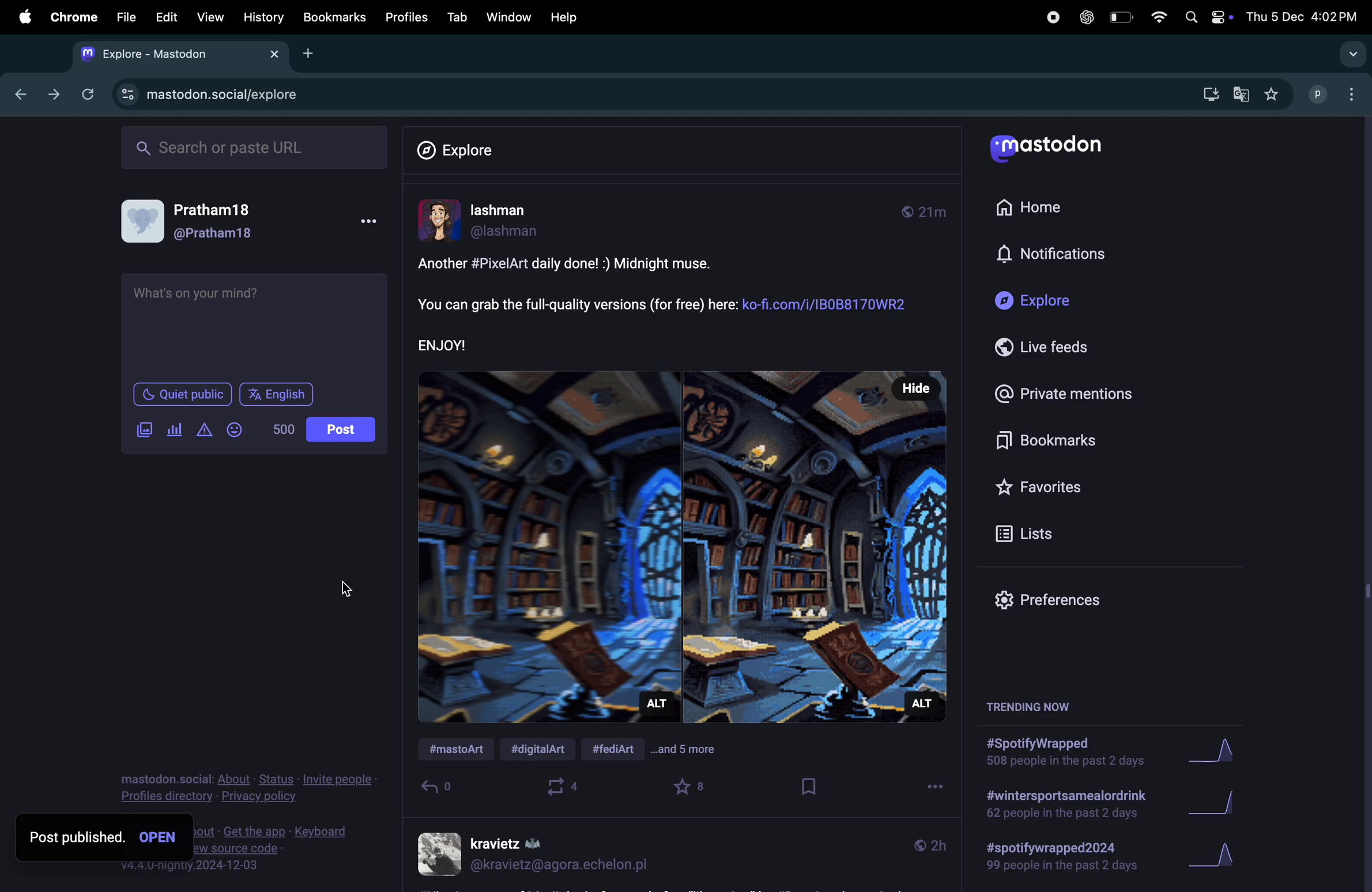 The width and height of the screenshot is (1372, 892). Describe the element at coordinates (256, 323) in the screenshot. I see `textbox` at that location.